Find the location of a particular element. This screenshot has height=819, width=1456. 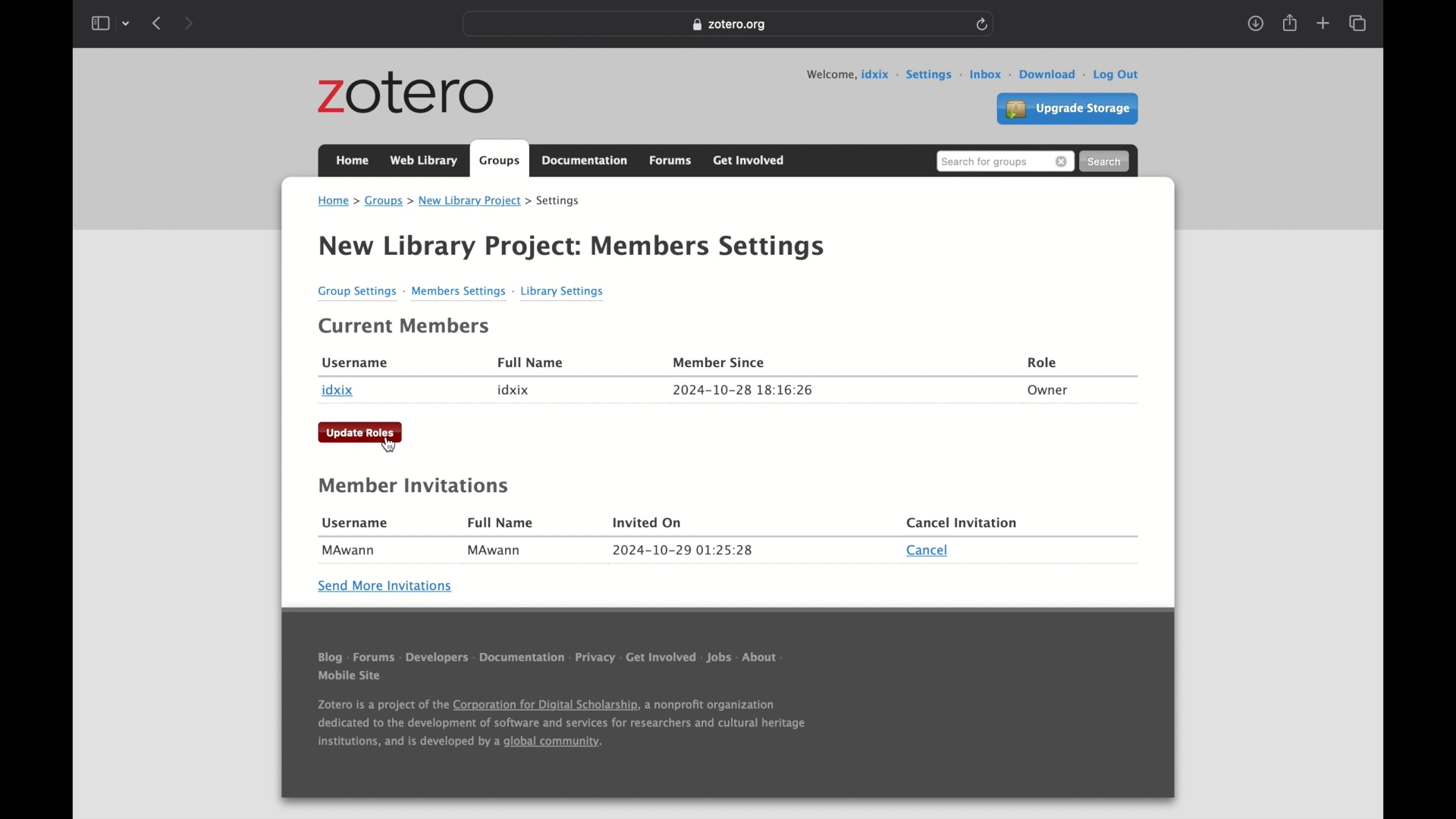

cancel is located at coordinates (928, 551).